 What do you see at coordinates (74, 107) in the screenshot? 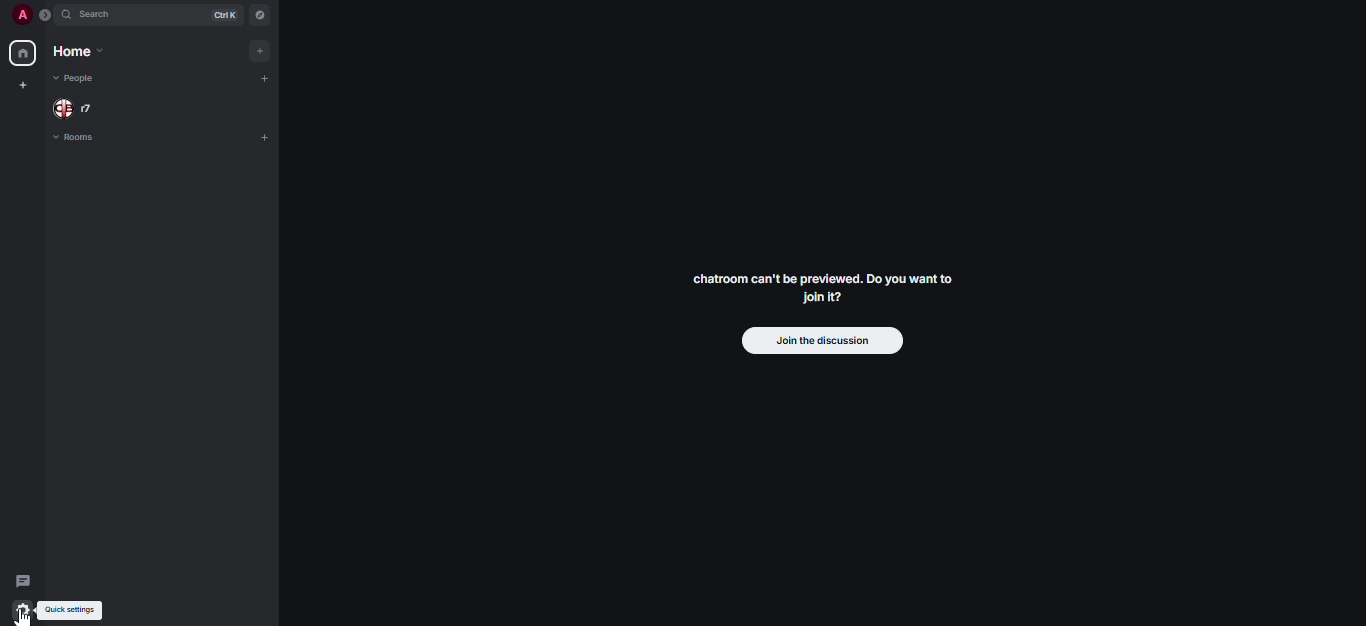
I see `people` at bounding box center [74, 107].